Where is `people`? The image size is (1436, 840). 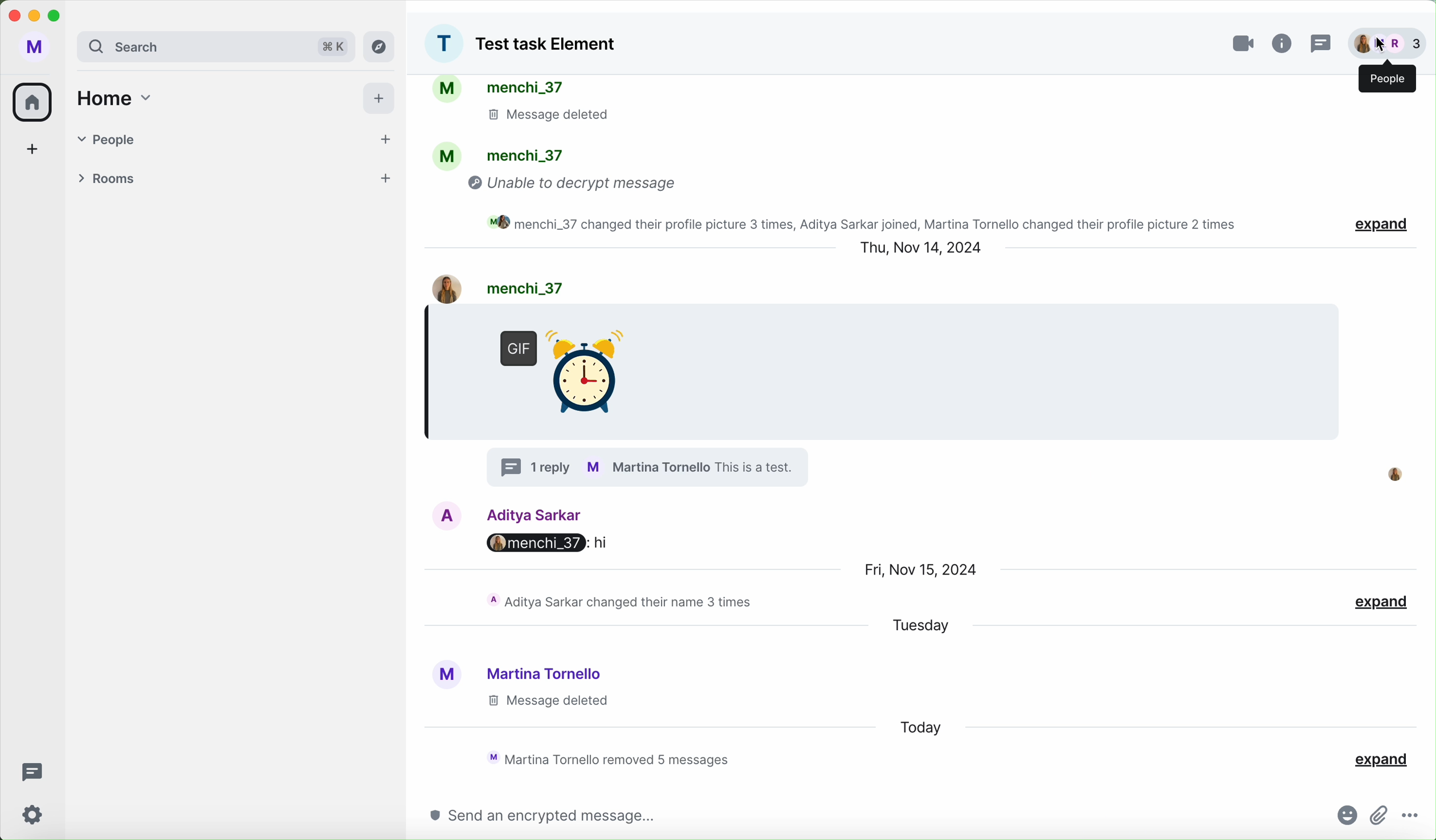
people is located at coordinates (214, 137).